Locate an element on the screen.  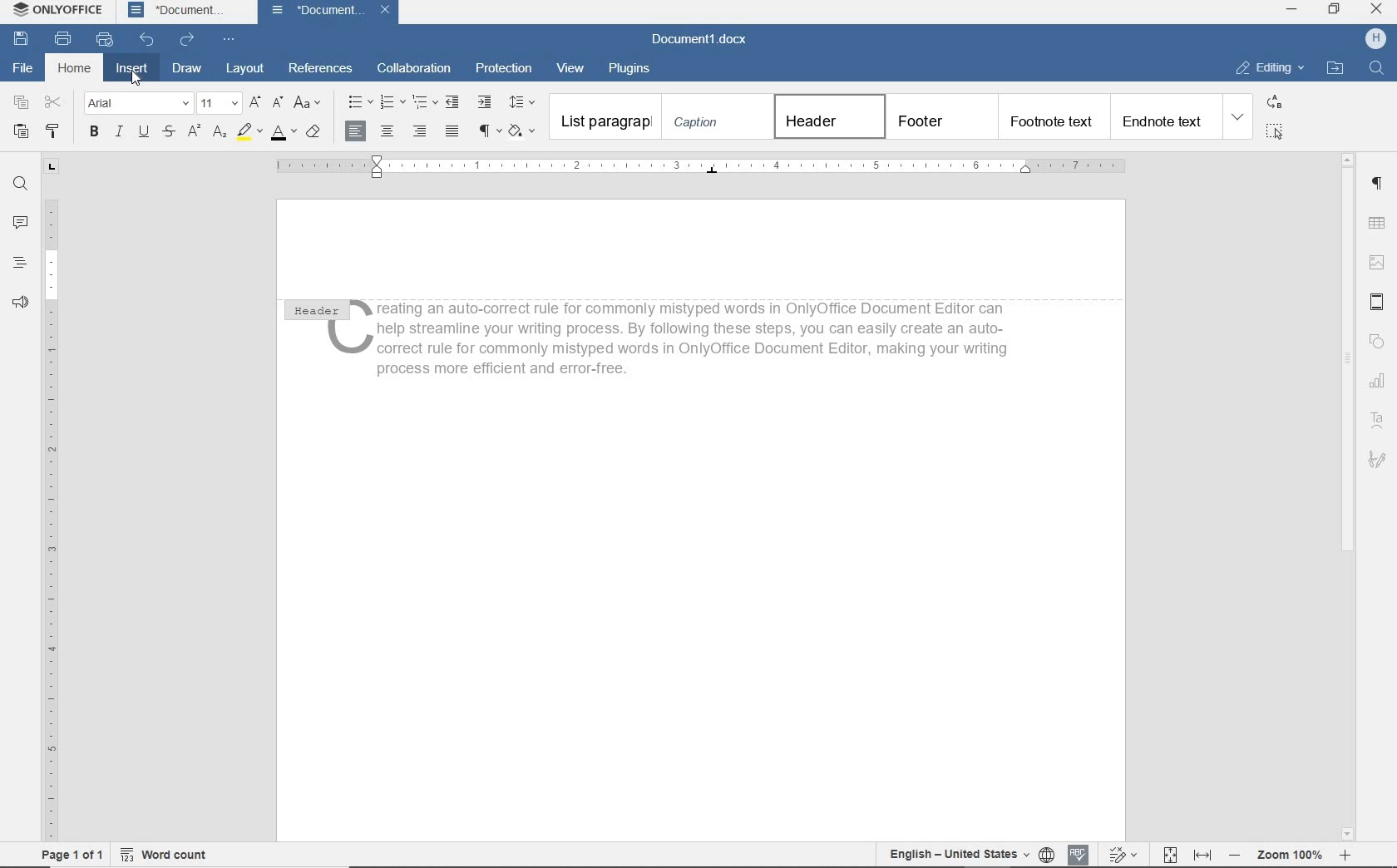
COLLABORATION is located at coordinates (413, 67).